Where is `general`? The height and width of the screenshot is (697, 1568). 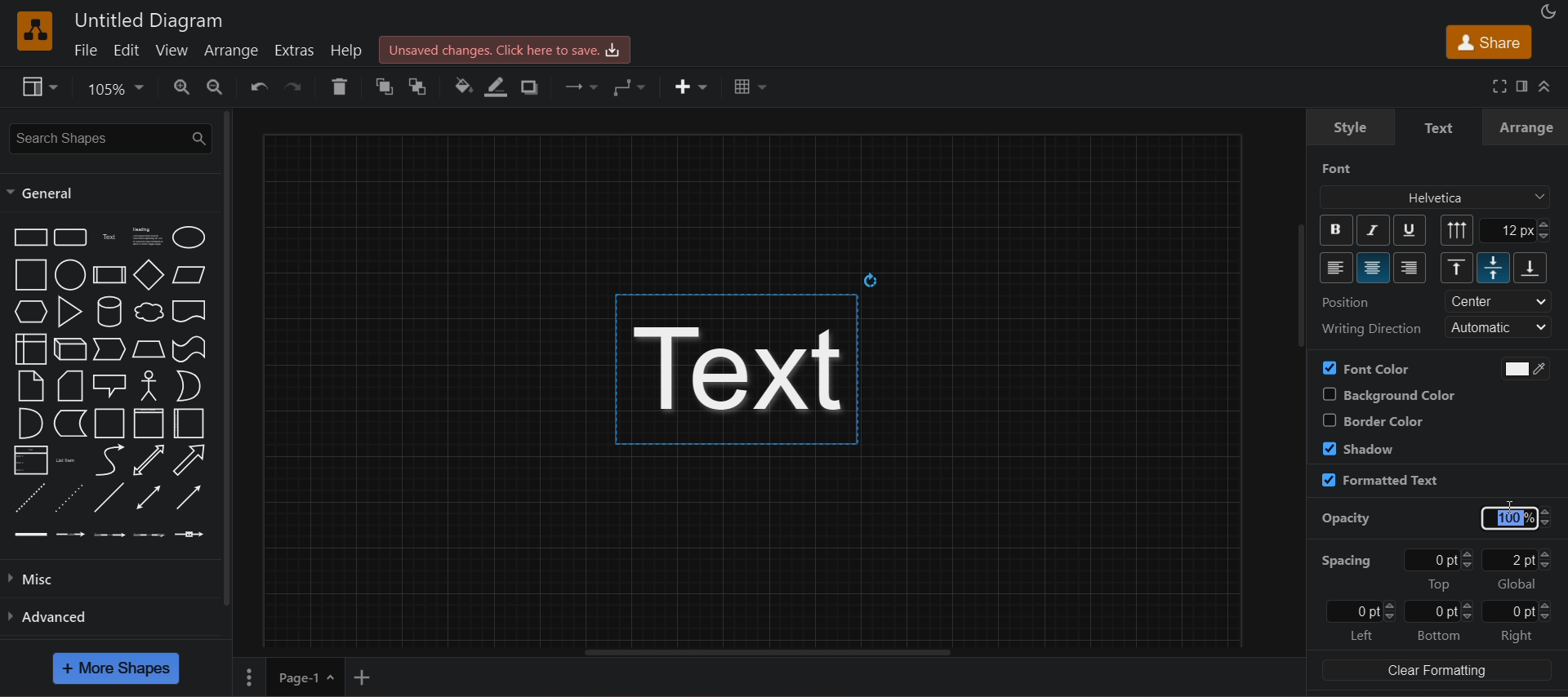 general is located at coordinates (44, 193).